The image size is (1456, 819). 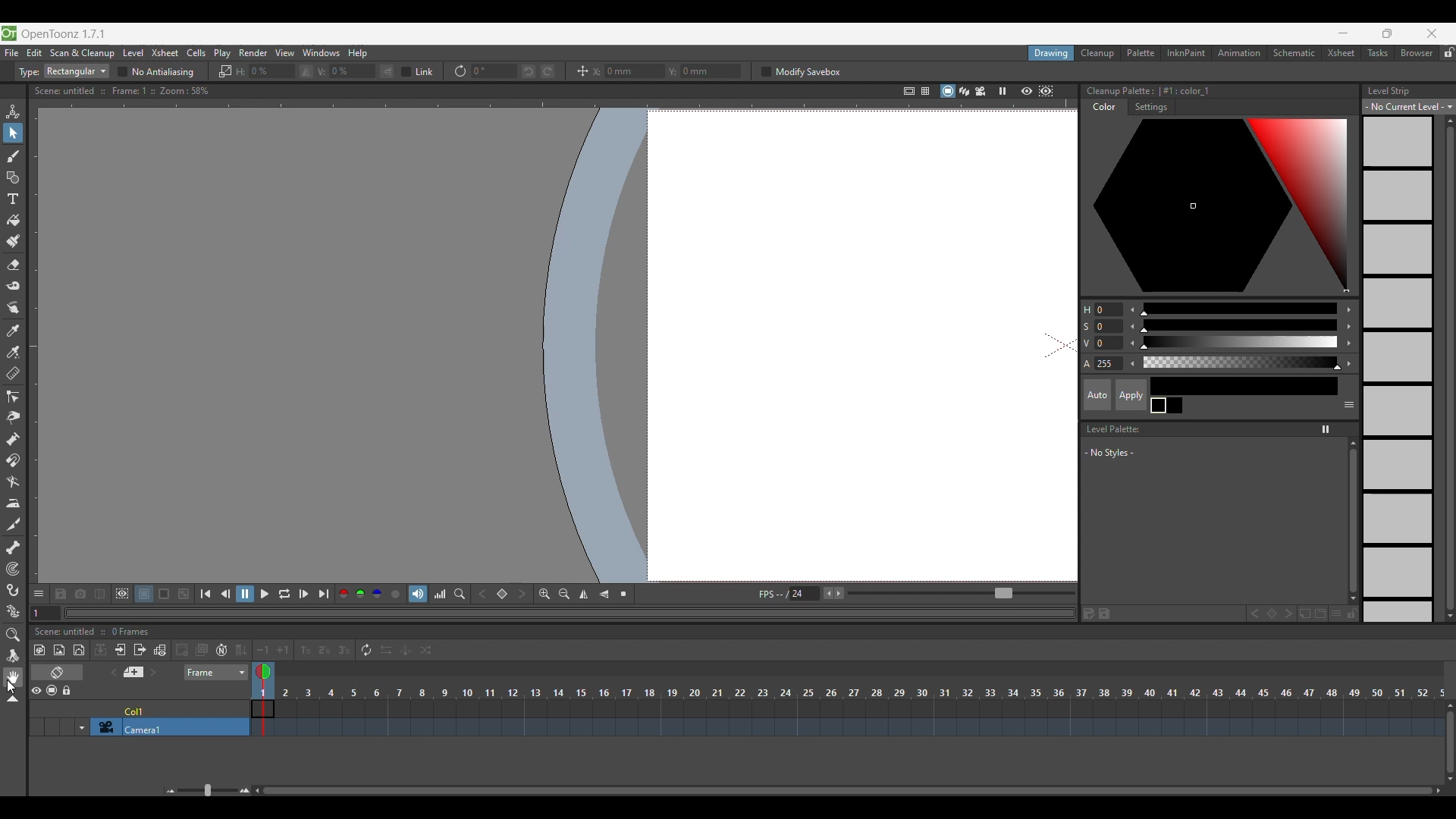 I want to click on RGB picker tool, so click(x=14, y=353).